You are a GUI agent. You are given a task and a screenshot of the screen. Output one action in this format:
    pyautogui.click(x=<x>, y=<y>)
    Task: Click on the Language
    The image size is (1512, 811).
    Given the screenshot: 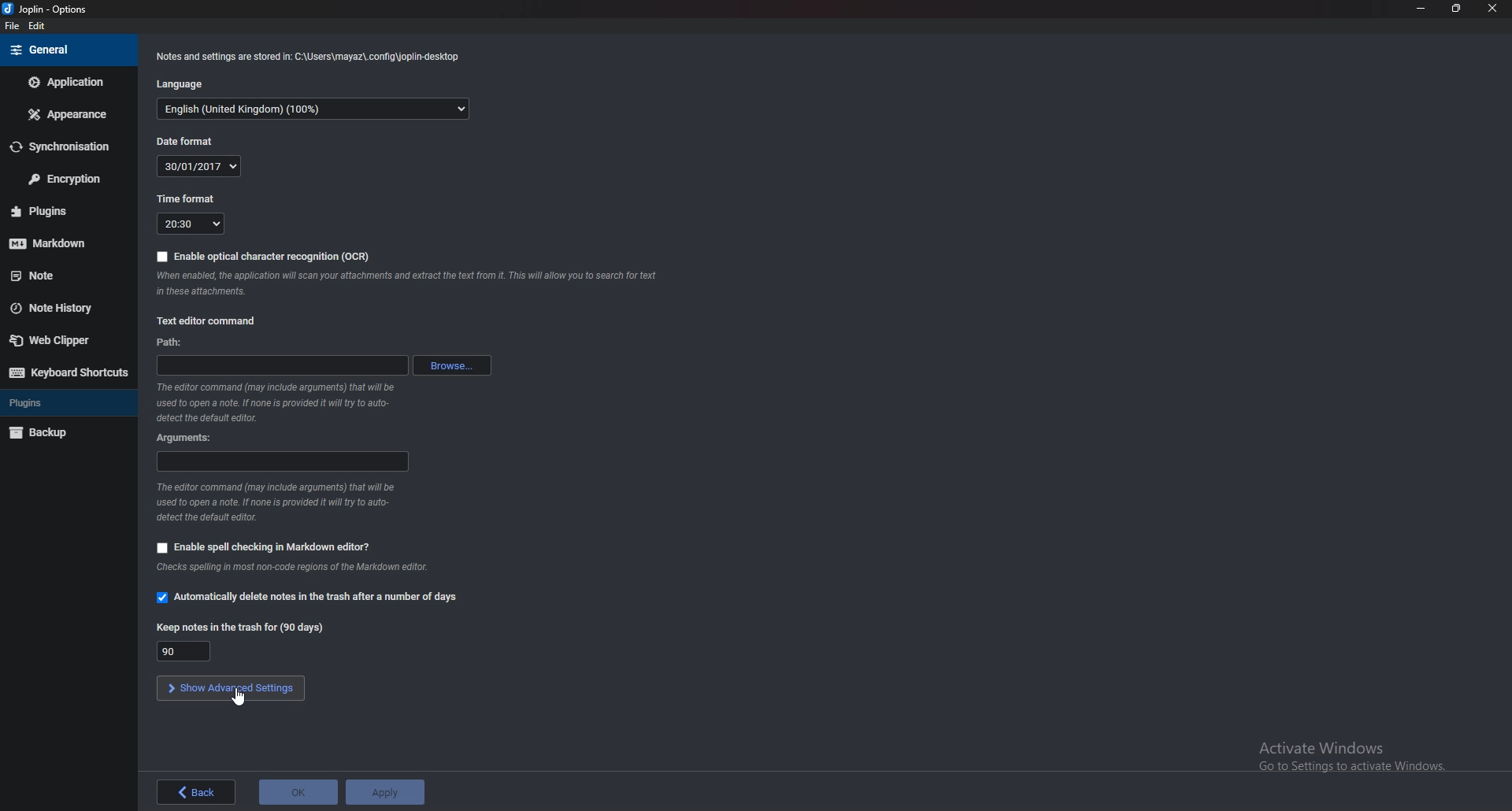 What is the action you would take?
    pyautogui.click(x=187, y=86)
    